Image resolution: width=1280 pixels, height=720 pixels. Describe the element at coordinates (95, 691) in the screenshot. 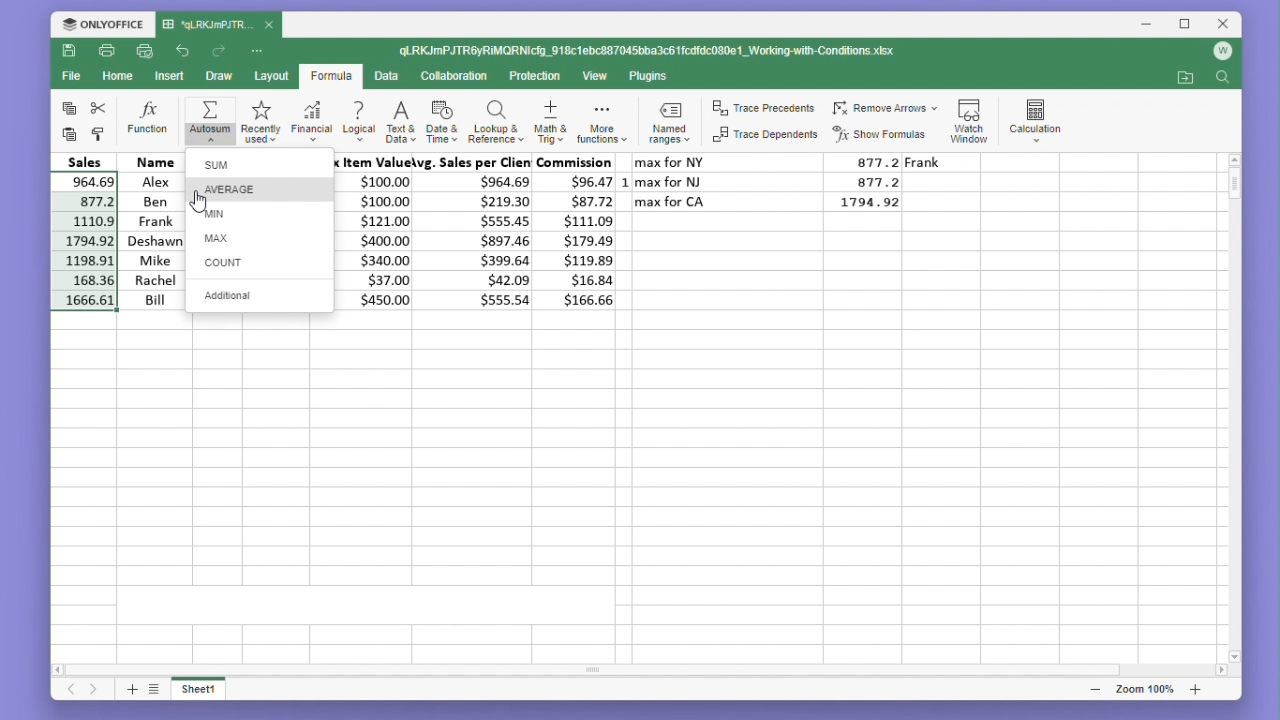

I see `Next sheet` at that location.